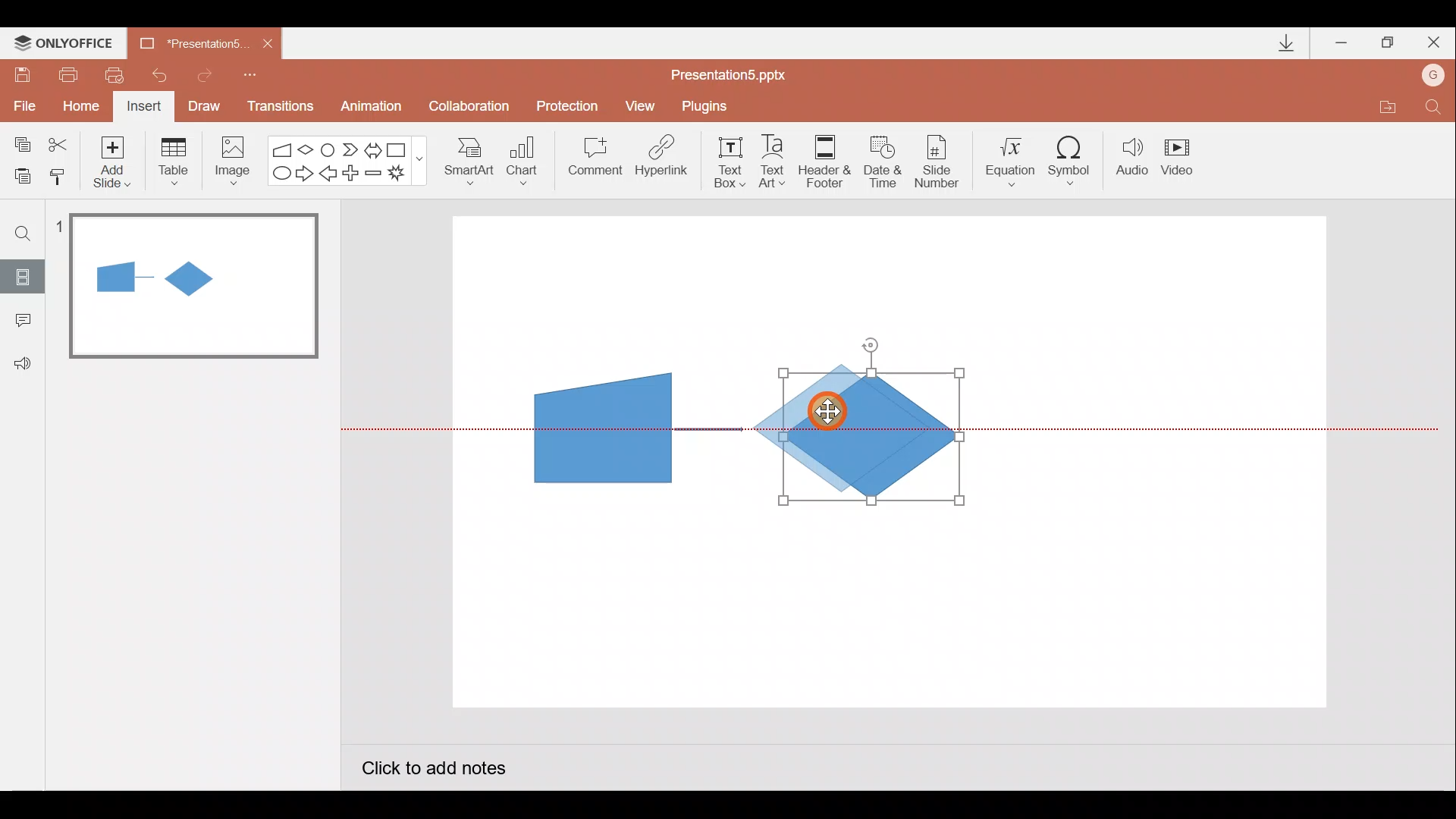 The height and width of the screenshot is (819, 1456). Describe the element at coordinates (881, 158) in the screenshot. I see `Date & time` at that location.